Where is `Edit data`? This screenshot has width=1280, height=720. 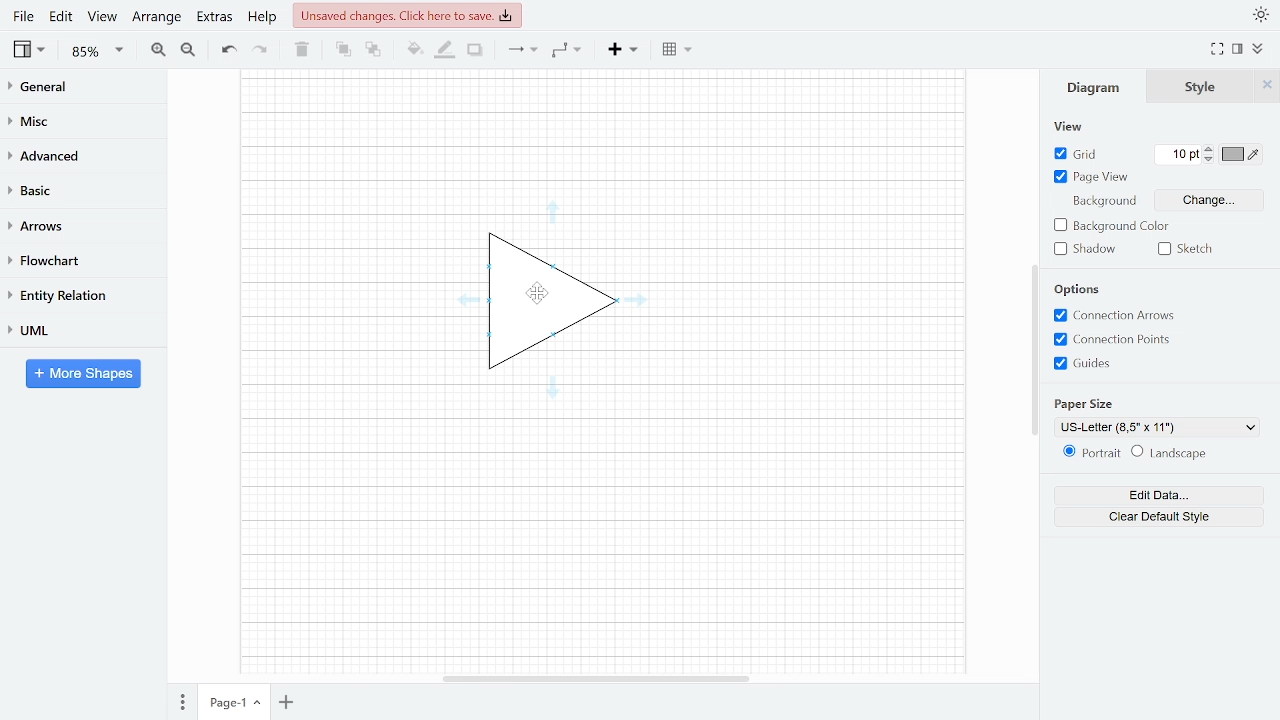
Edit data is located at coordinates (1160, 495).